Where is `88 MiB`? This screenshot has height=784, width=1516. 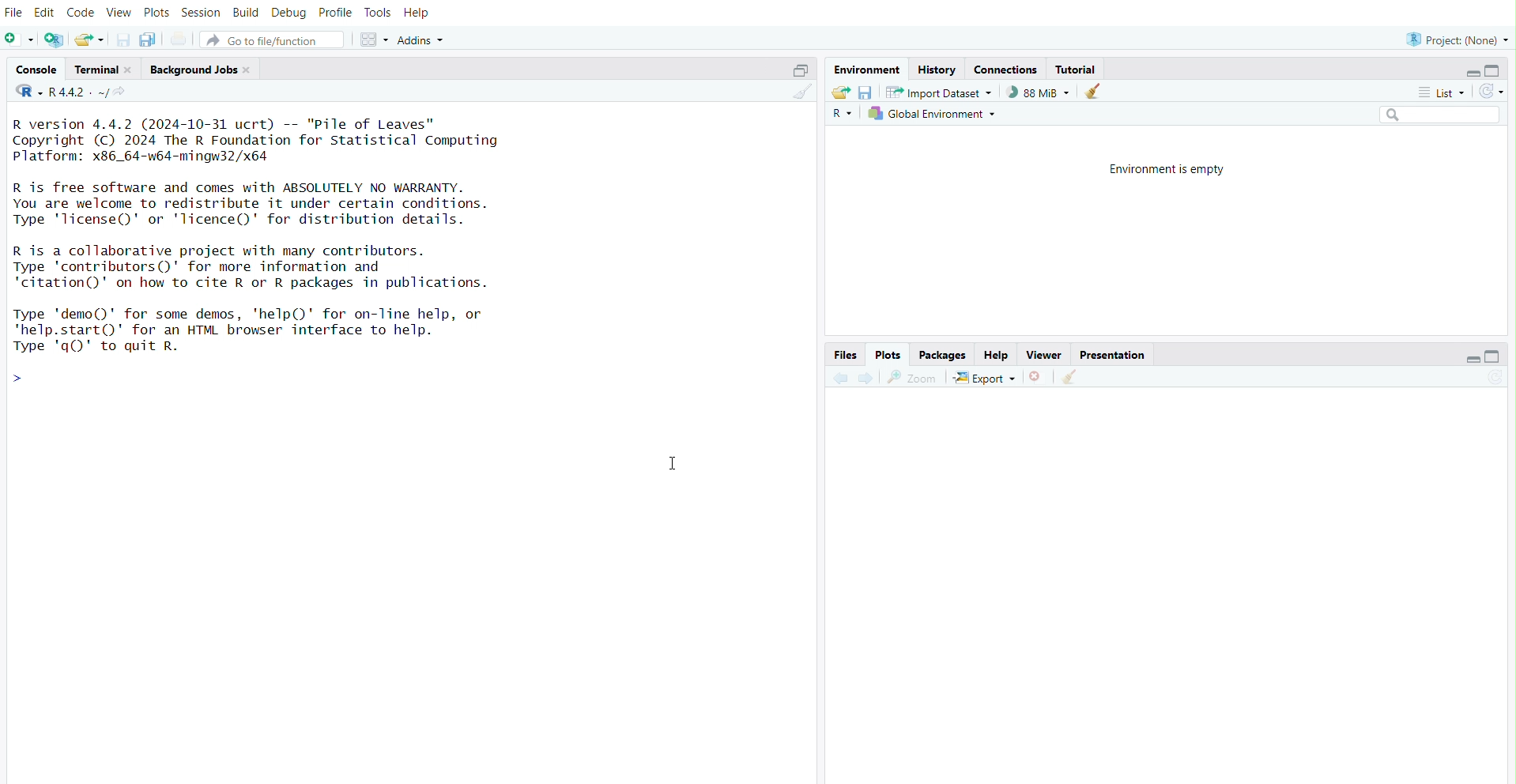 88 MiB is located at coordinates (1038, 92).